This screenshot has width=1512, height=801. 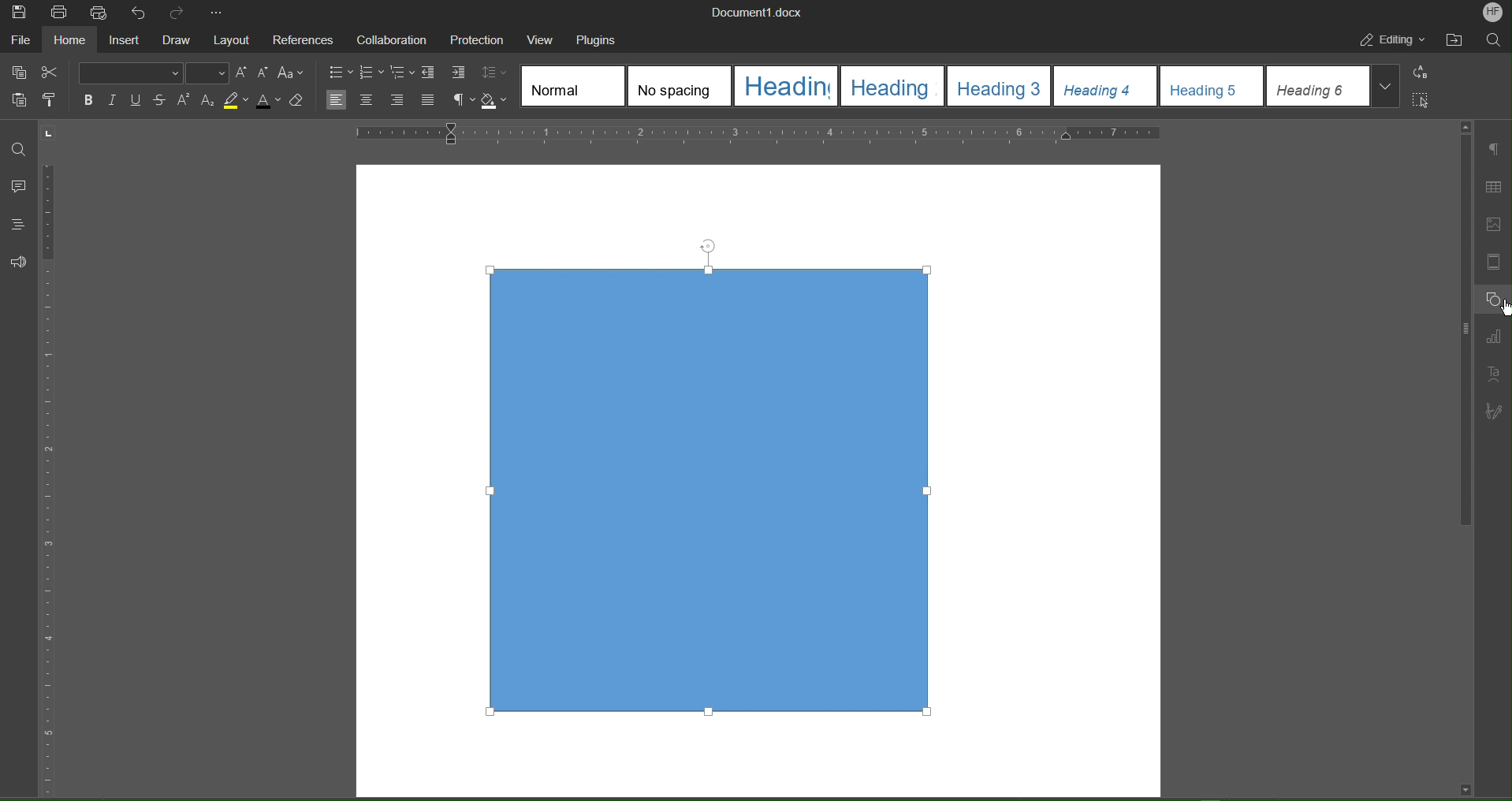 What do you see at coordinates (891, 87) in the screenshot?
I see `Heading 2` at bounding box center [891, 87].